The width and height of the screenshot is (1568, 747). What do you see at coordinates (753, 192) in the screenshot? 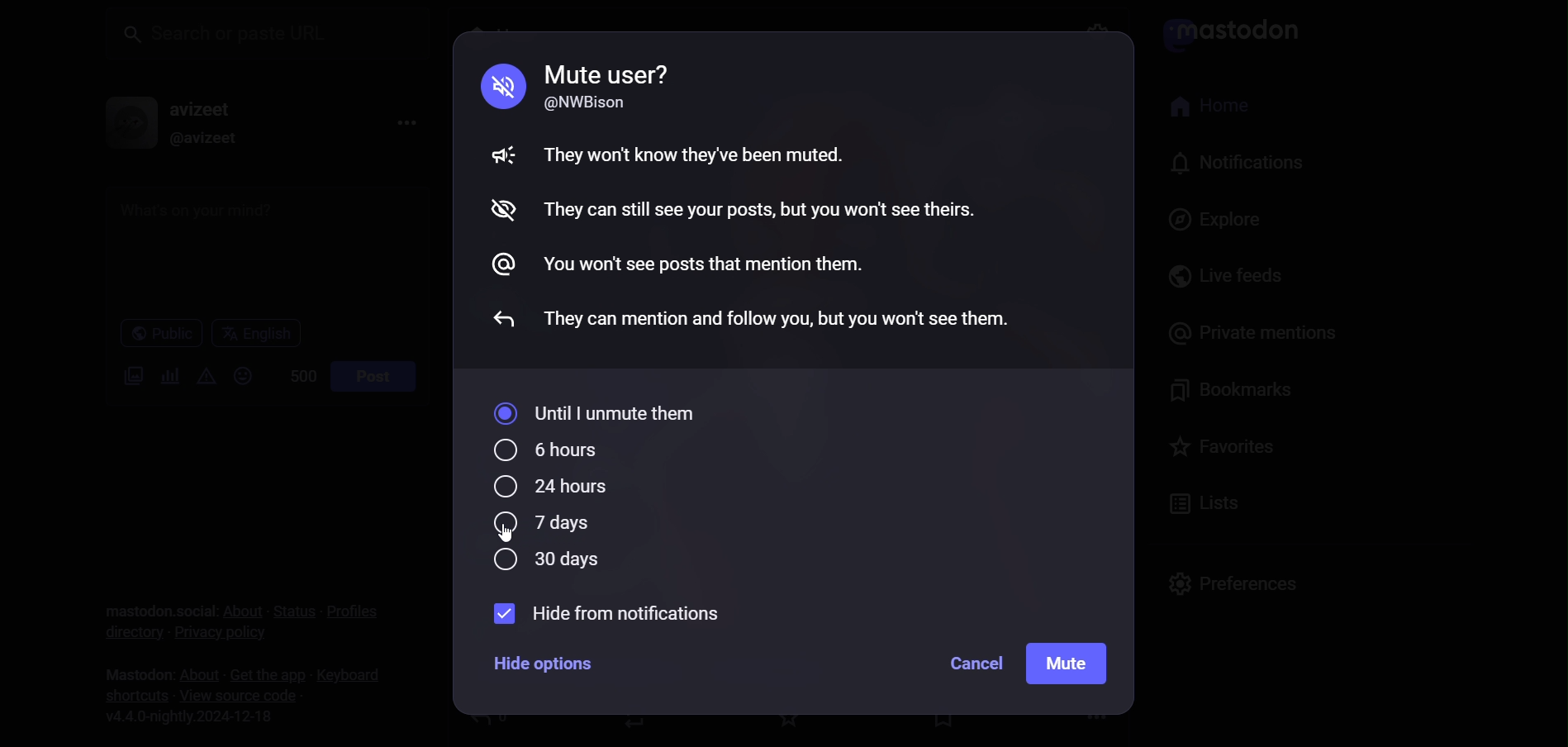
I see `Mute guidelines` at bounding box center [753, 192].